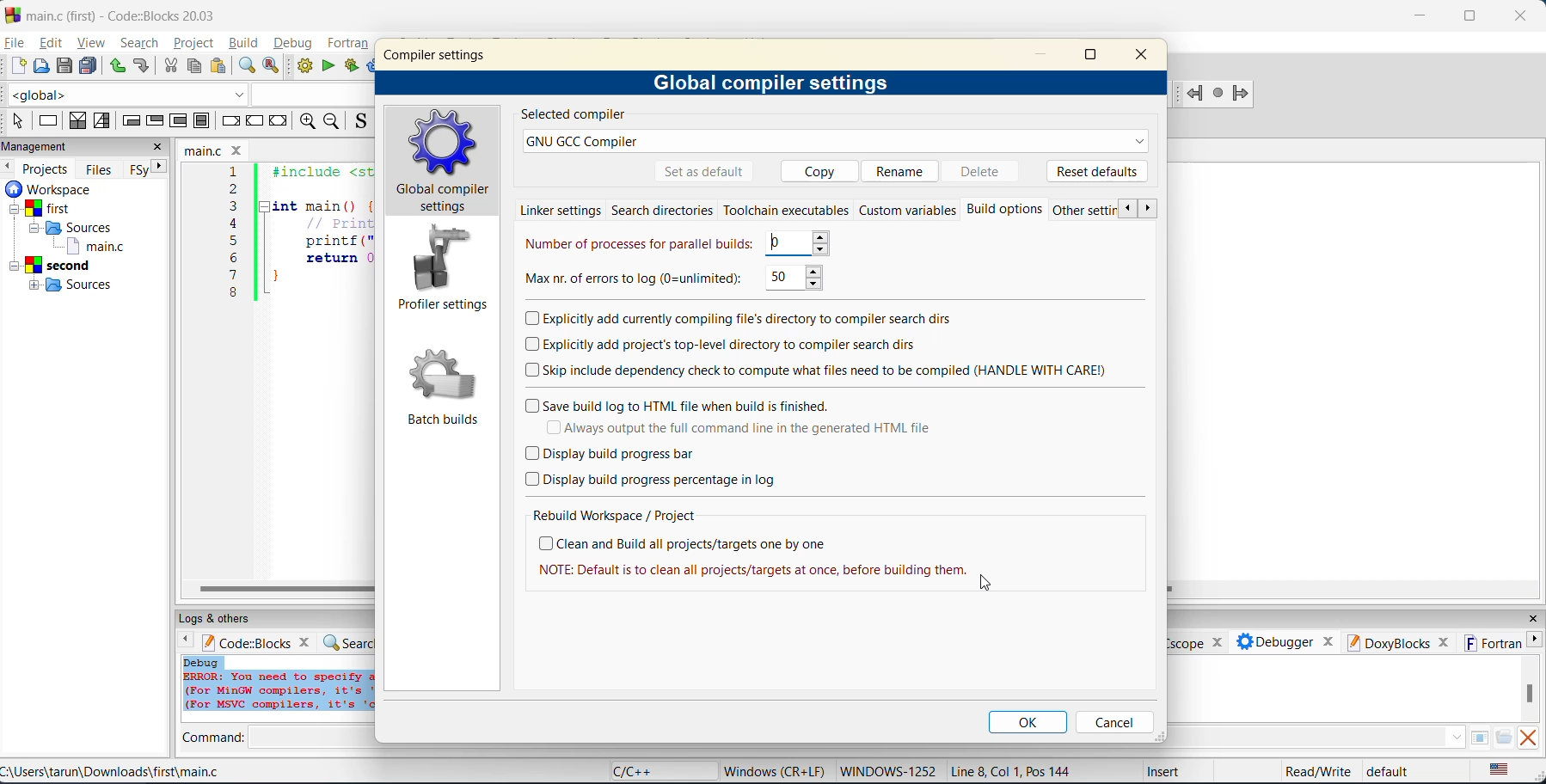 This screenshot has height=784, width=1546. I want to click on maximize, so click(1469, 17).